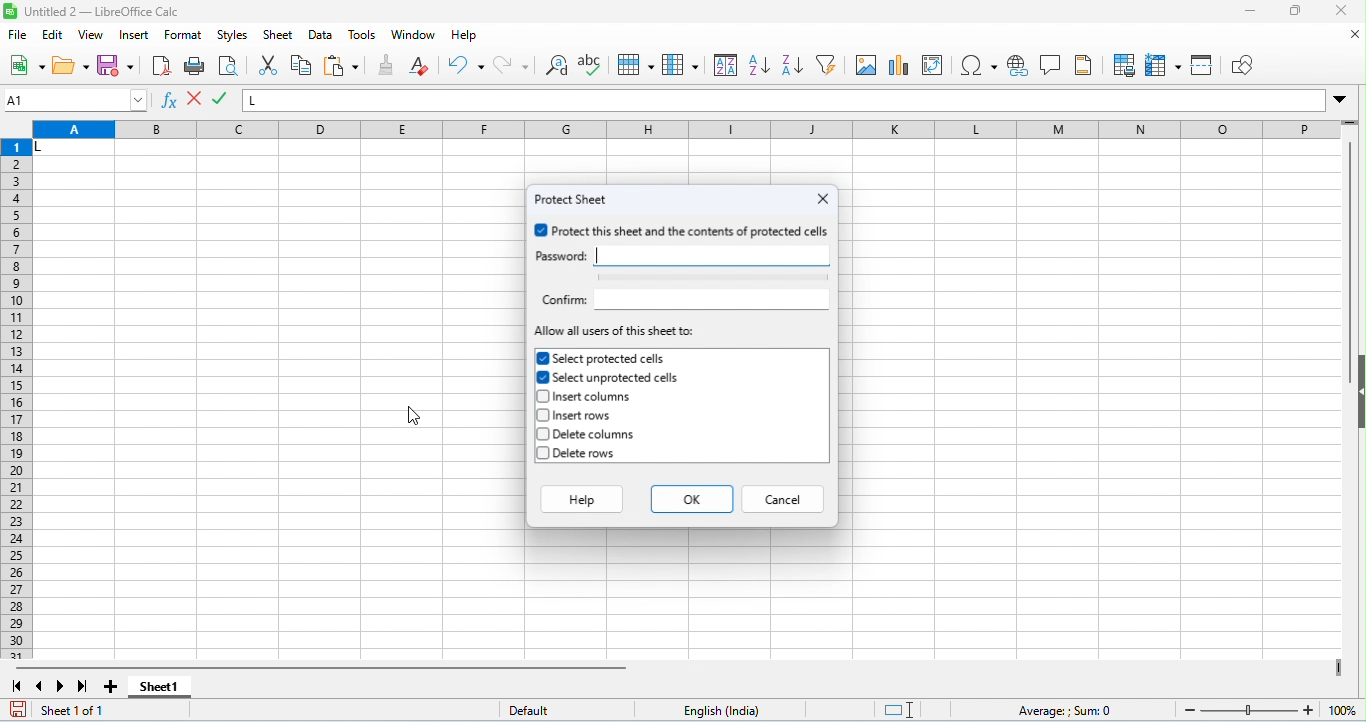 The width and height of the screenshot is (1366, 722). Describe the element at coordinates (1294, 13) in the screenshot. I see `maximize` at that location.